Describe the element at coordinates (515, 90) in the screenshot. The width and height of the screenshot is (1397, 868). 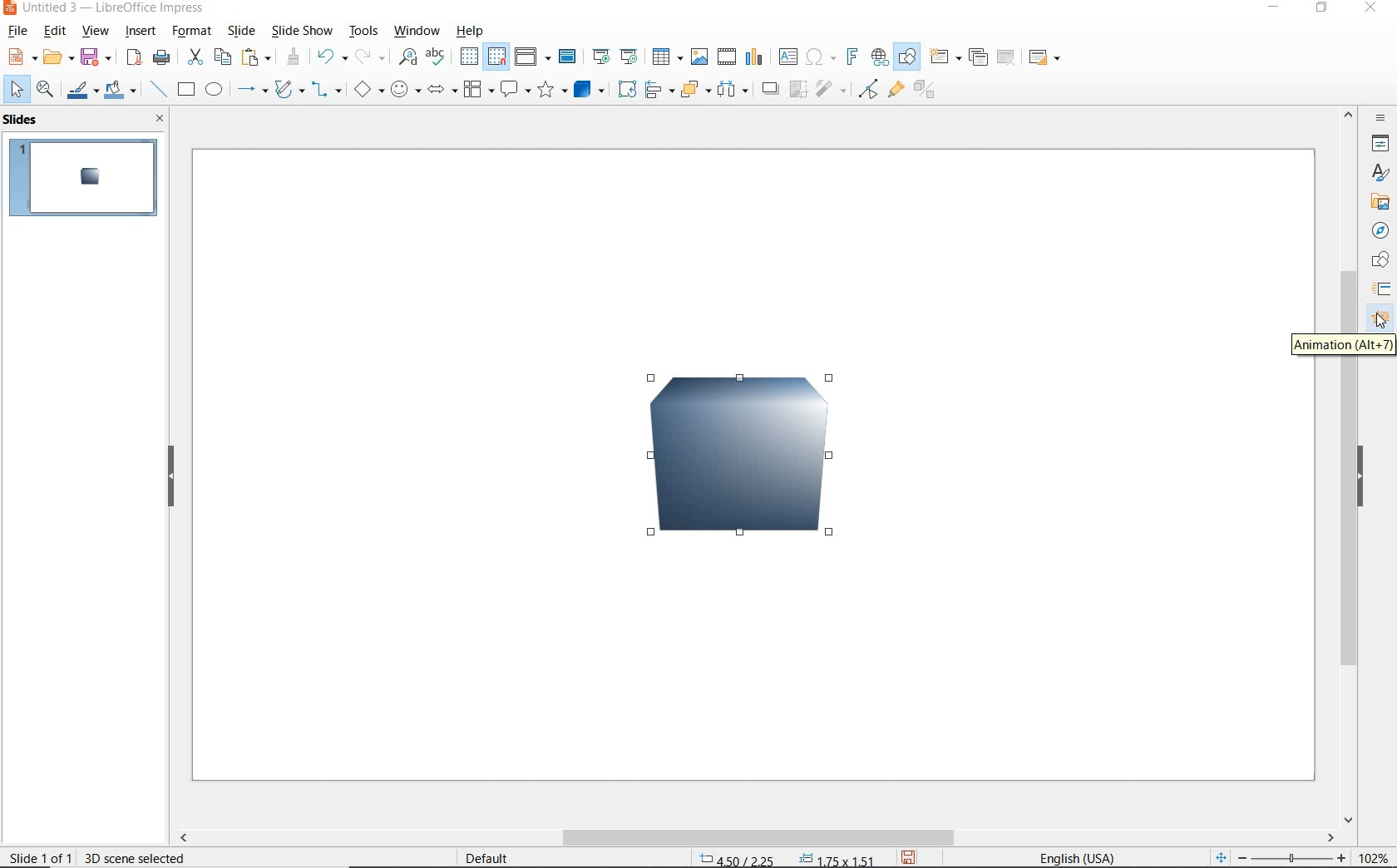
I see `callout shapes` at that location.